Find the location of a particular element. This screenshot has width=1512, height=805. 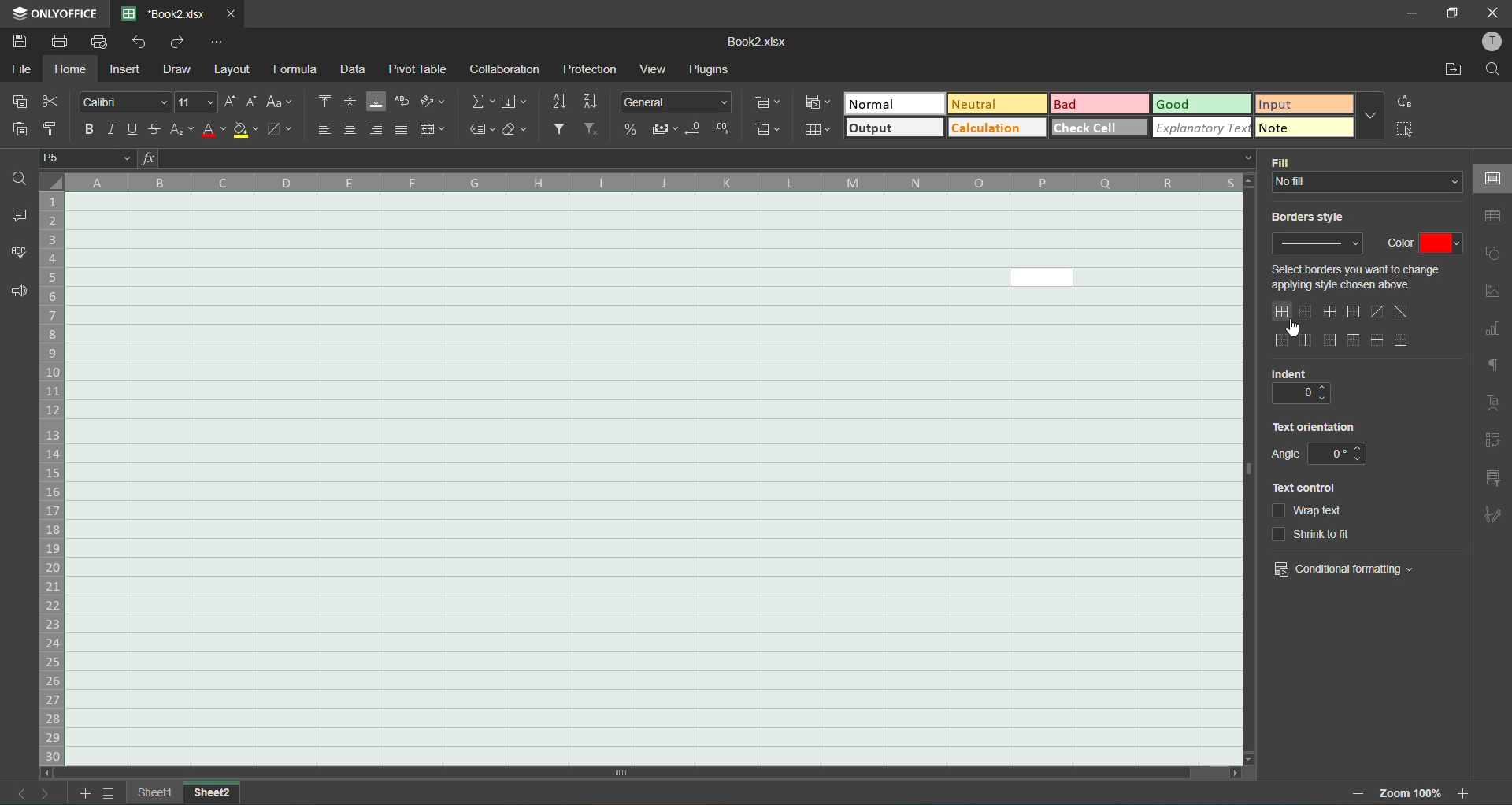

outer  top line only is located at coordinates (1354, 341).